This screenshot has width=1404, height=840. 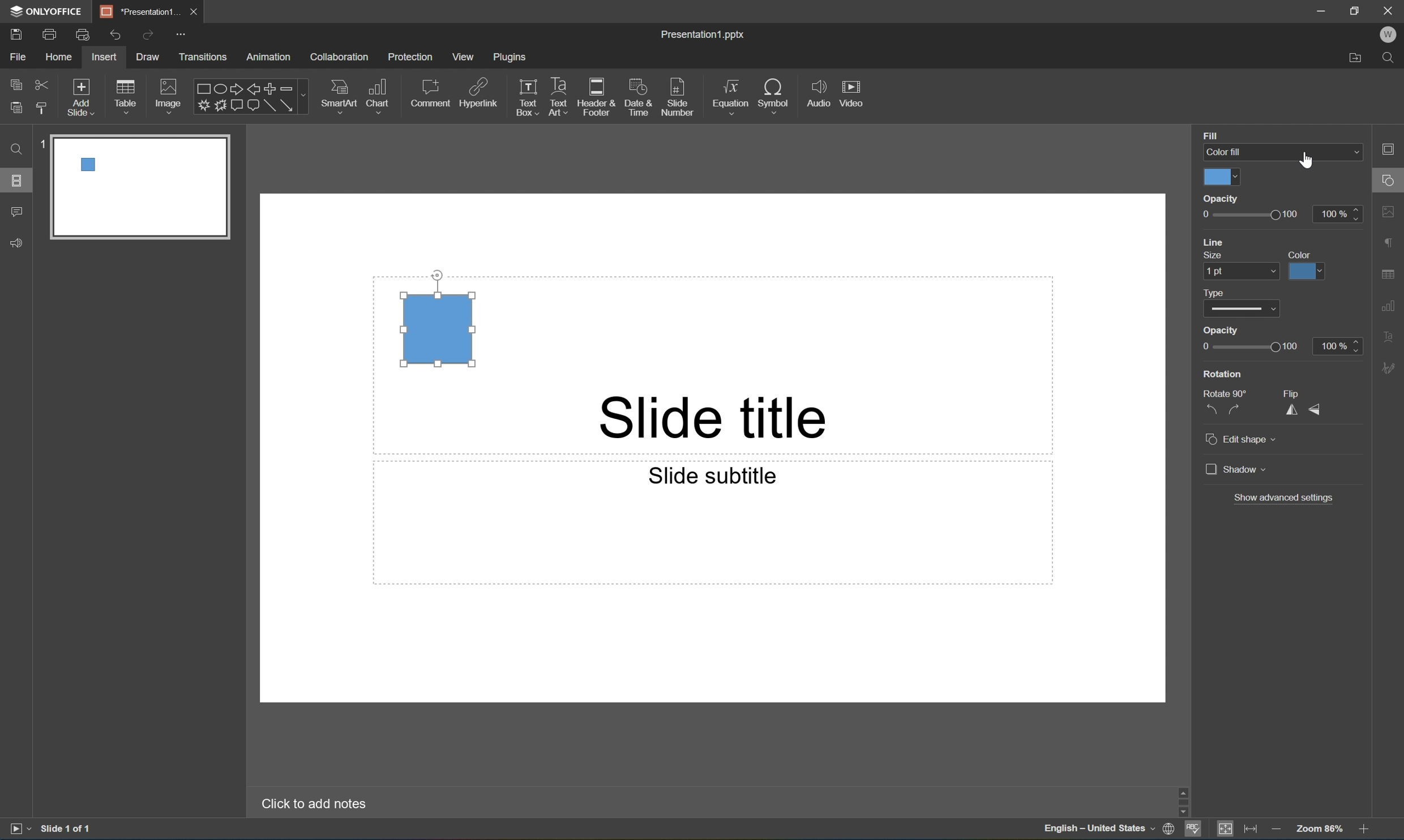 What do you see at coordinates (636, 96) in the screenshot?
I see `Date & Time` at bounding box center [636, 96].